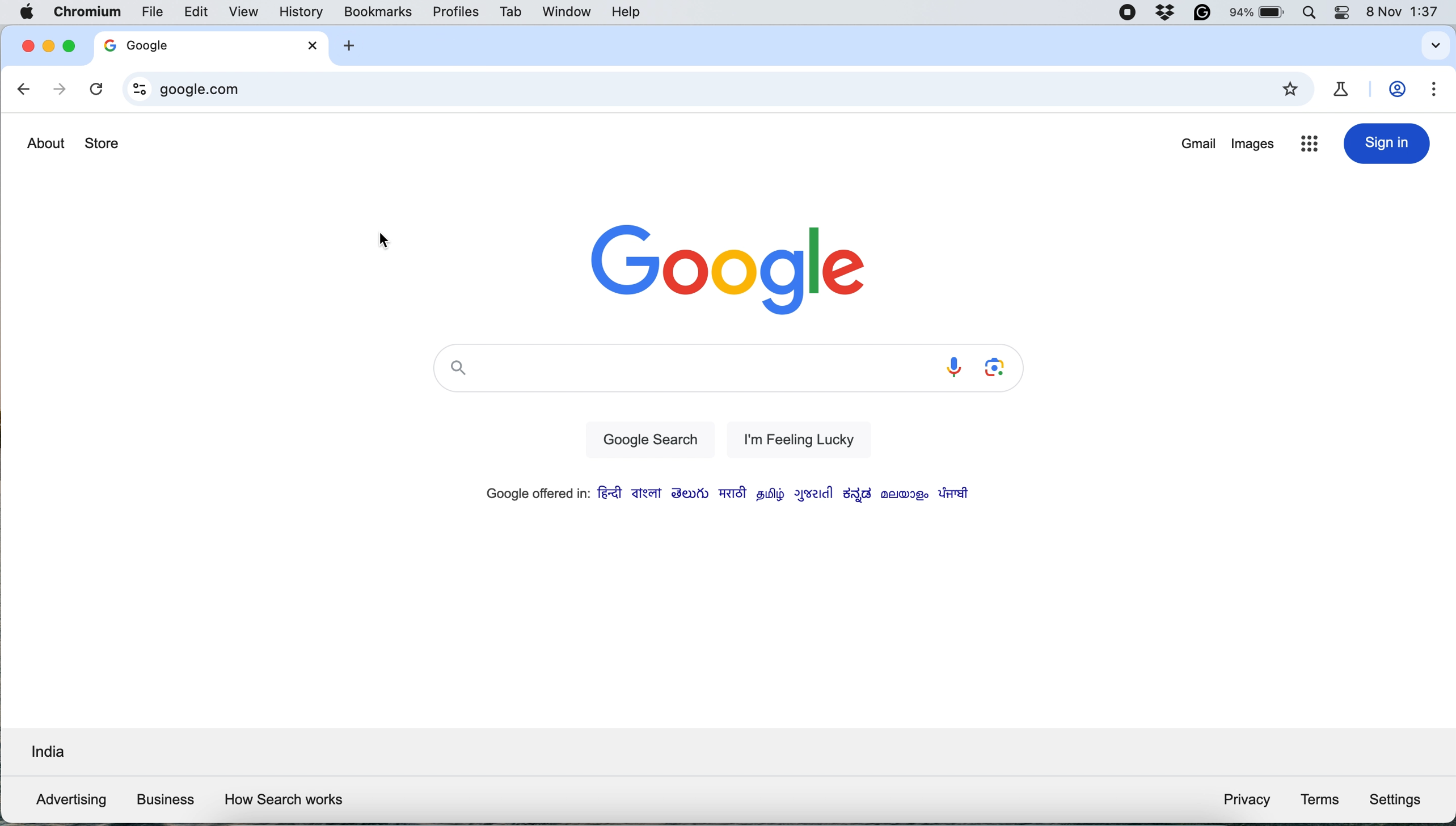  Describe the element at coordinates (724, 495) in the screenshot. I see `google languages` at that location.